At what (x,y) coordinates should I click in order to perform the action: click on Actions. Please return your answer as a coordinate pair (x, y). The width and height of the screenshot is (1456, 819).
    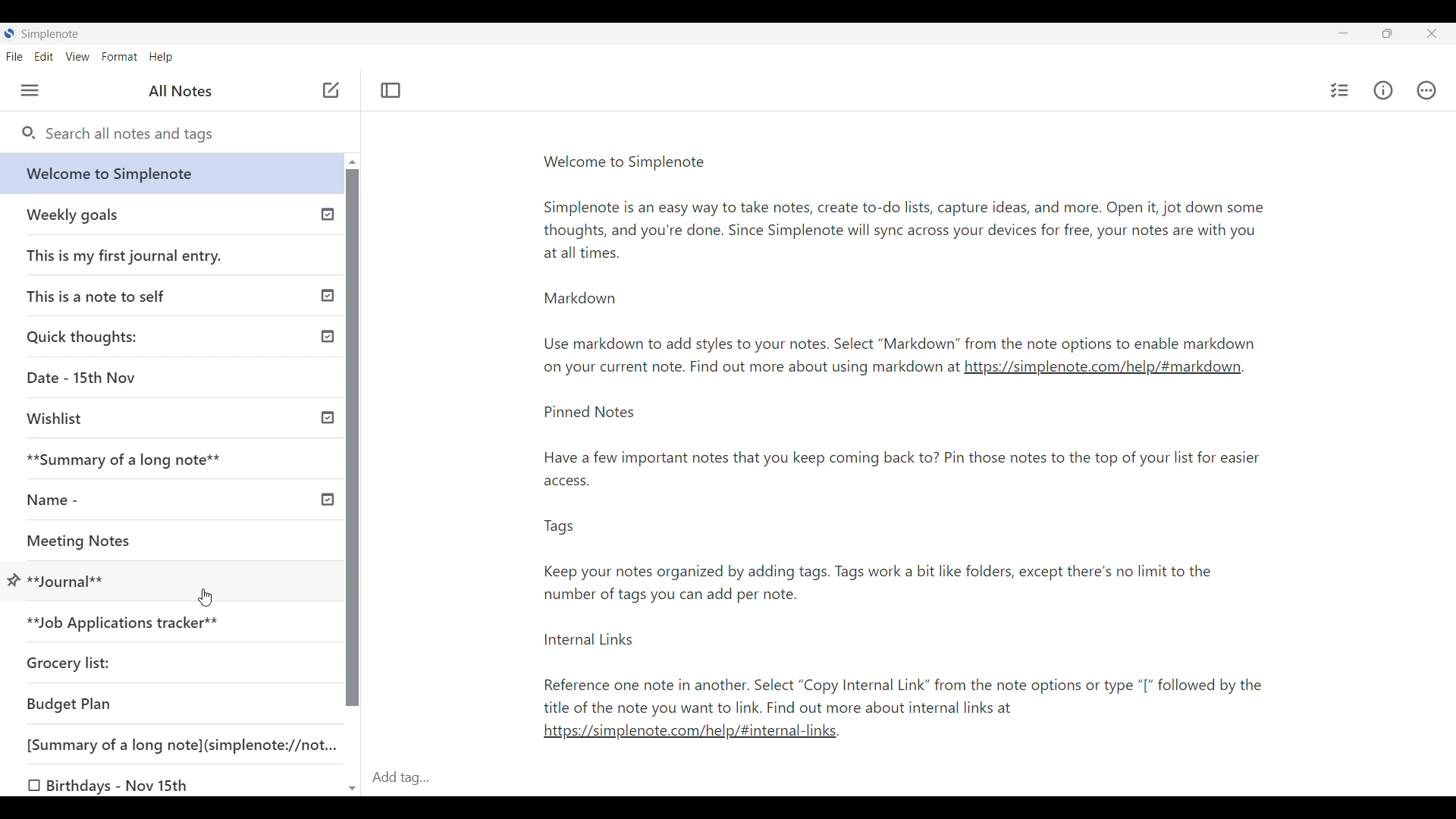
    Looking at the image, I should click on (1426, 90).